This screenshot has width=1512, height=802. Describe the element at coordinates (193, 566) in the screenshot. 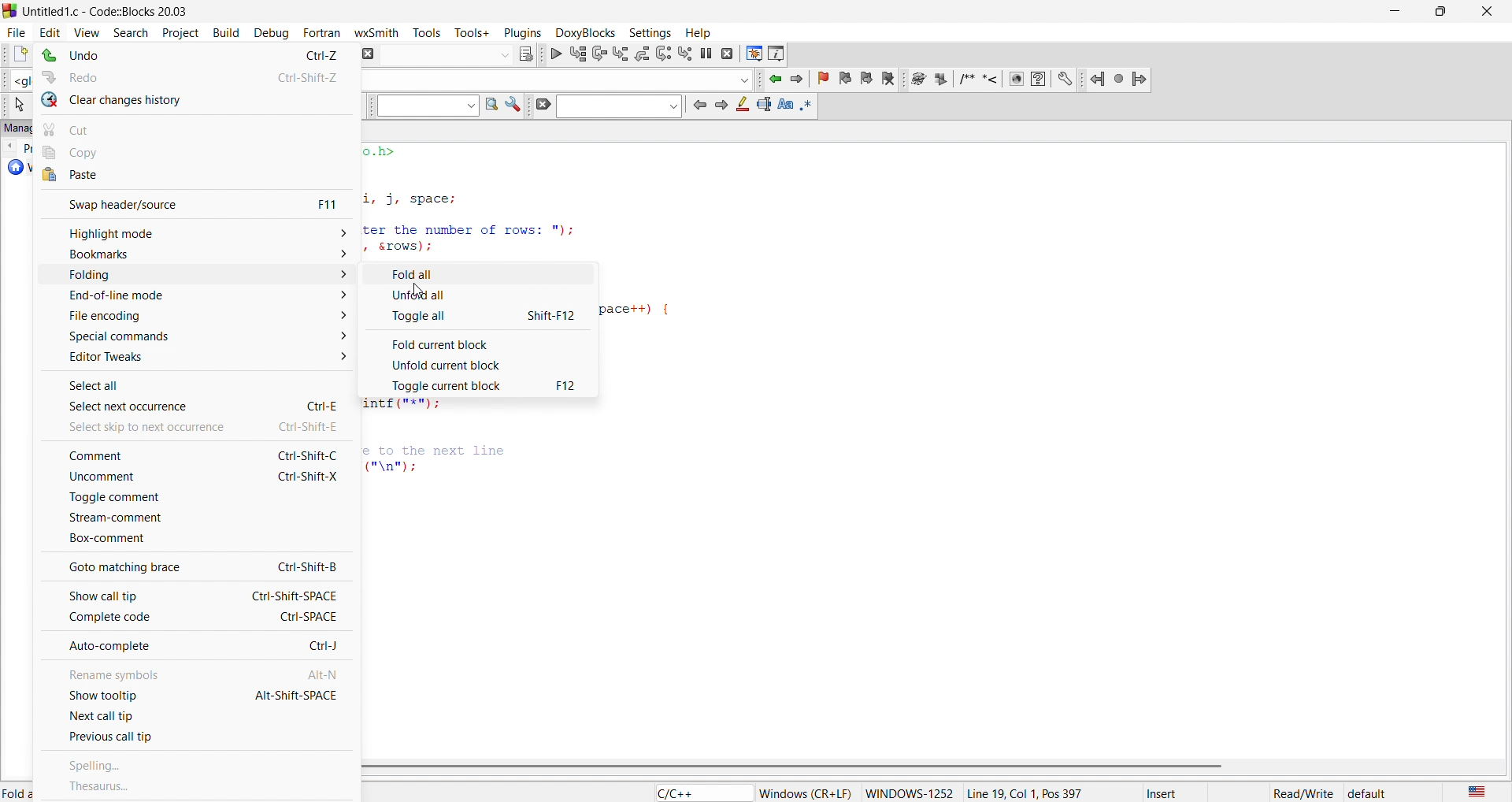

I see `goto matching brace` at that location.